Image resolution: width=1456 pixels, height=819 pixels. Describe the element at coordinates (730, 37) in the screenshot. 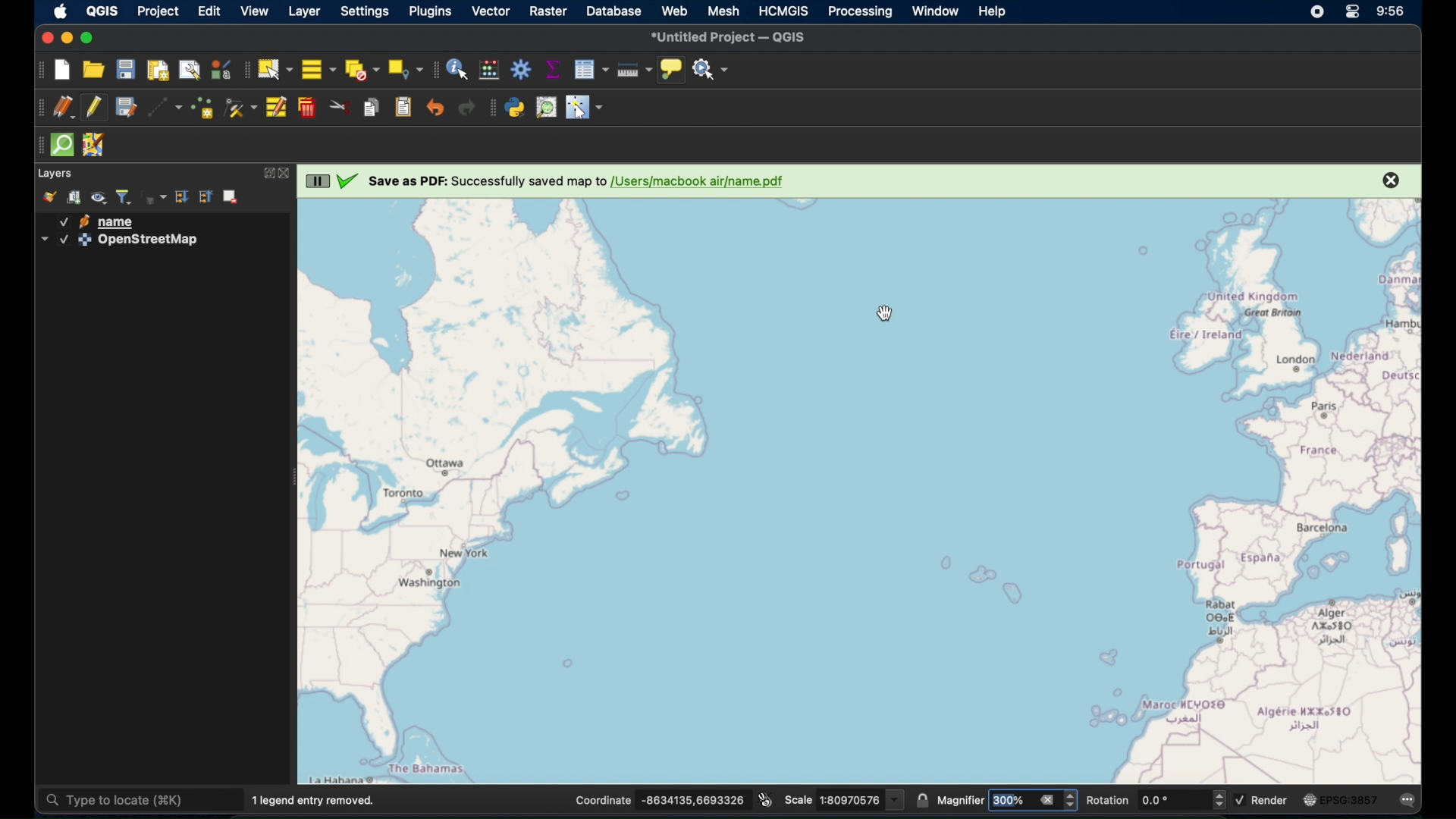

I see `untitled project - QGIS` at that location.